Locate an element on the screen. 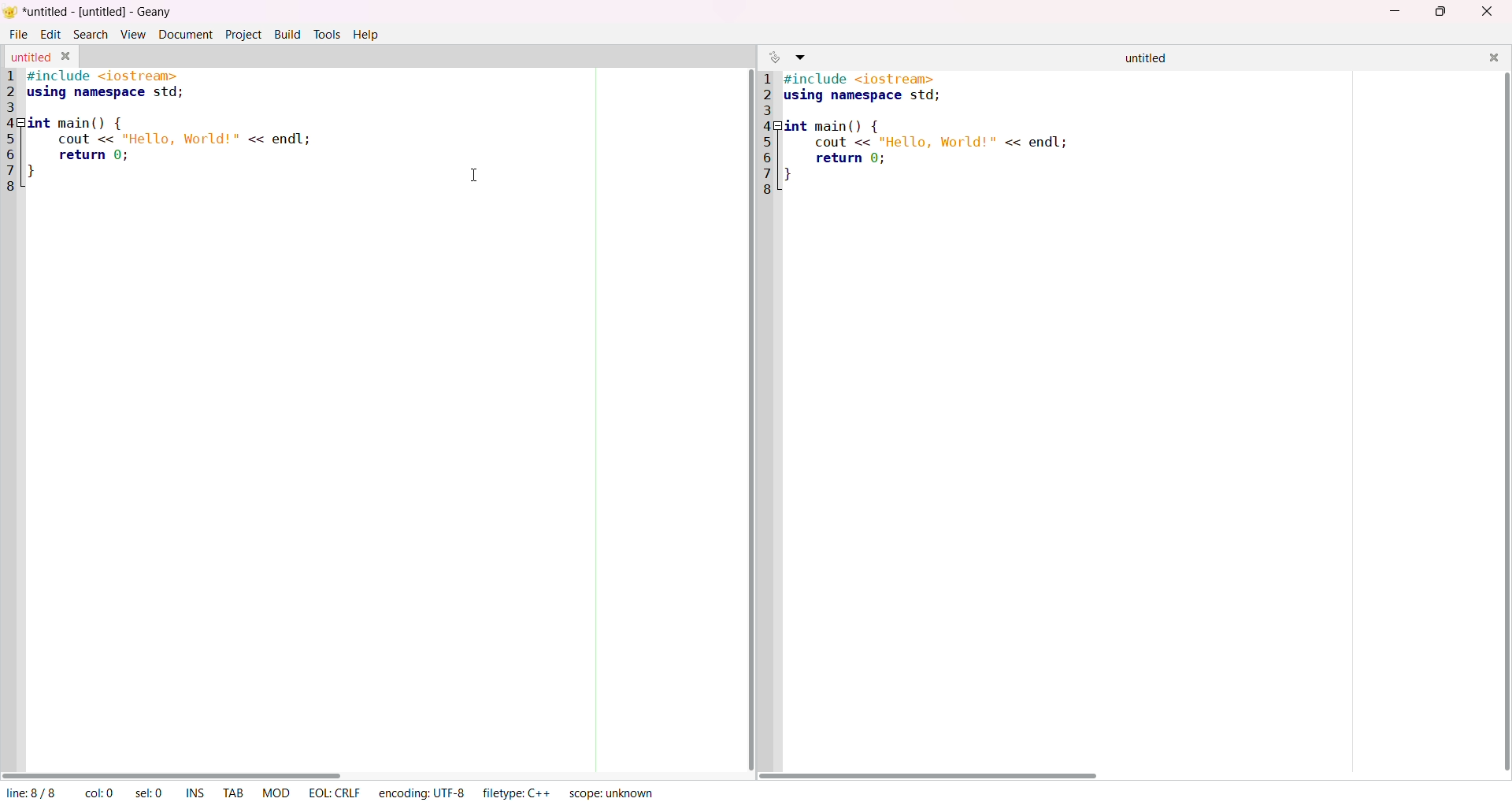  untitled - [untitled] - Geany is located at coordinates (98, 13).